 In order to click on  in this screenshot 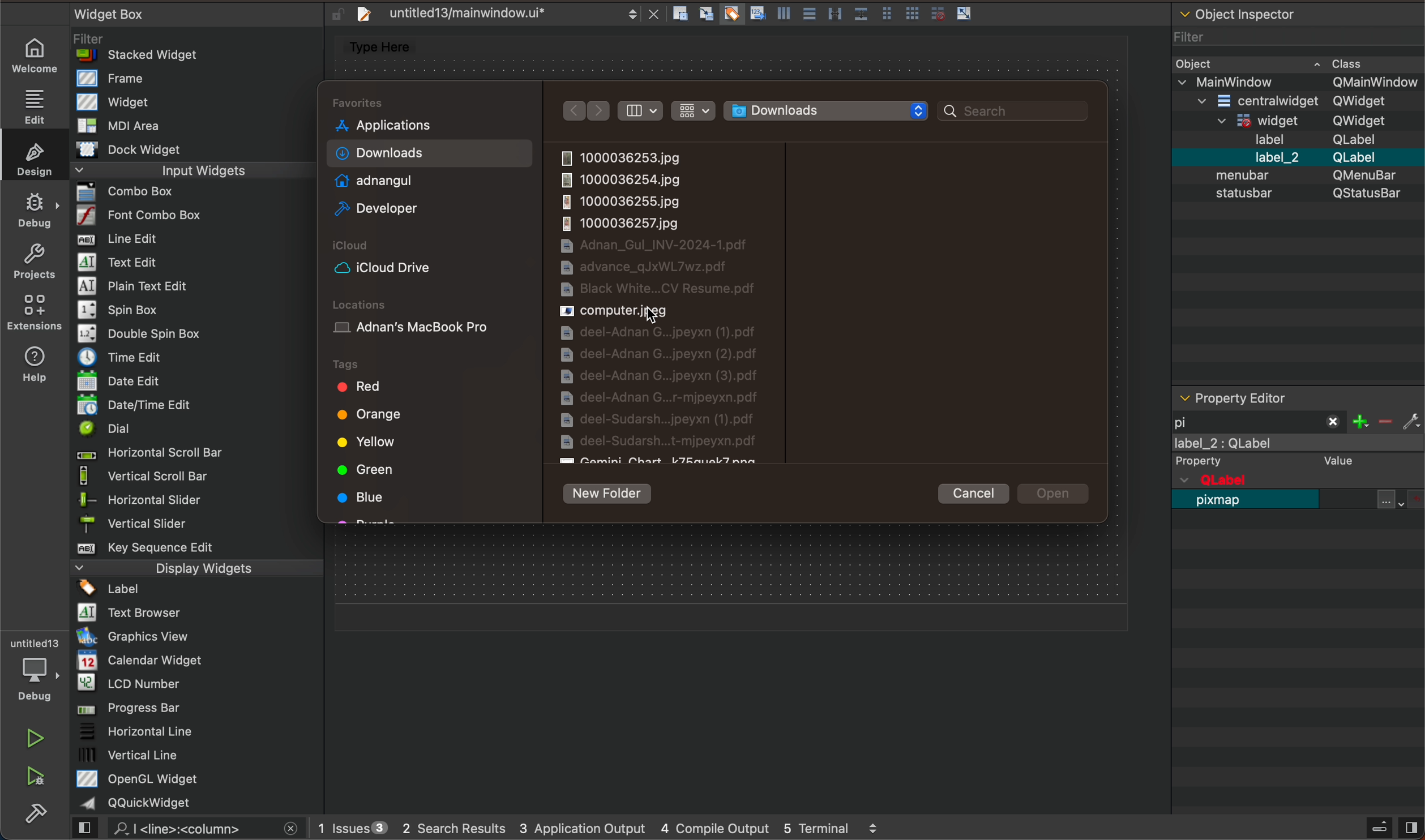, I will do `click(1380, 828)`.